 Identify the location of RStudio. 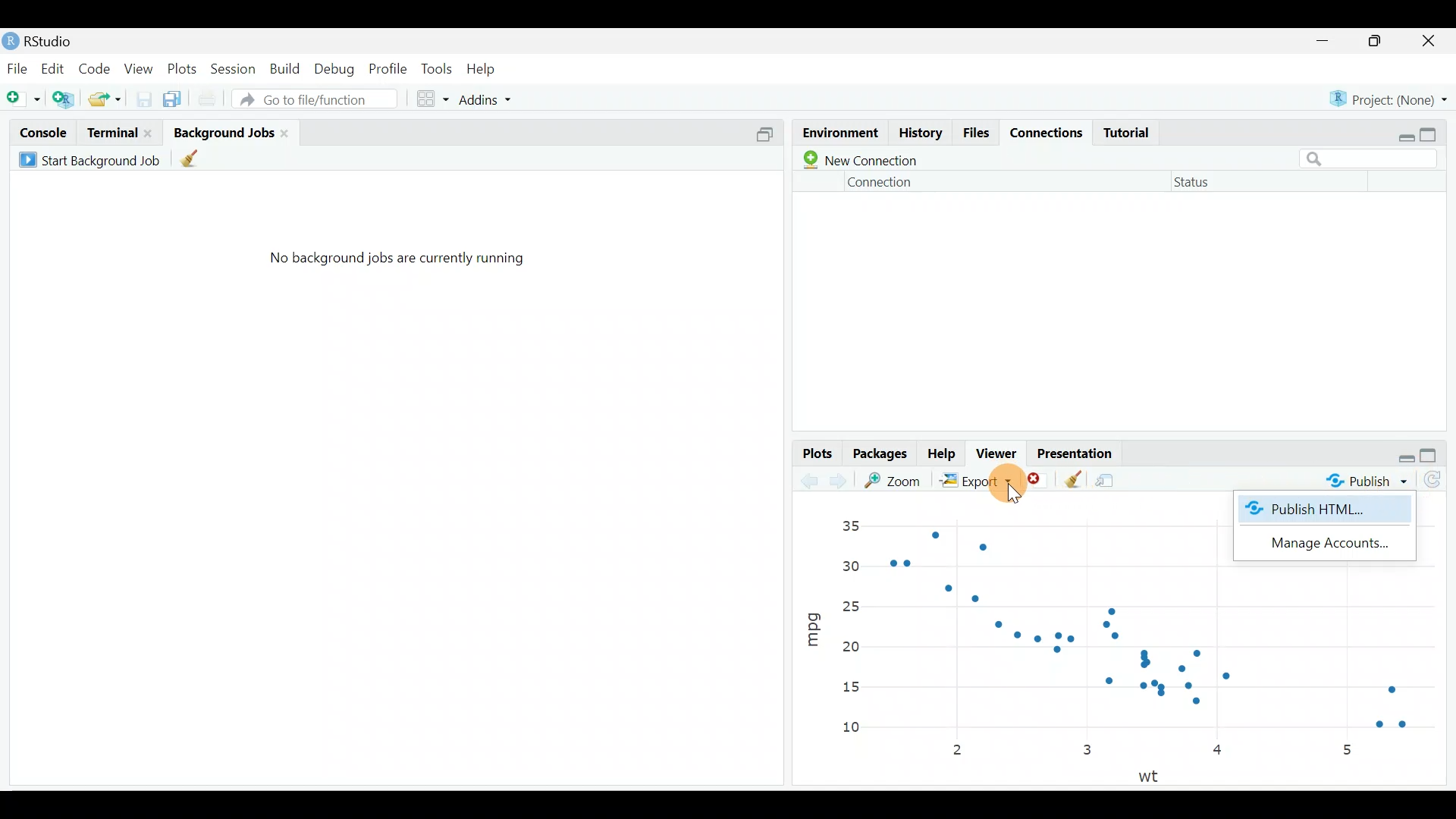
(61, 39).